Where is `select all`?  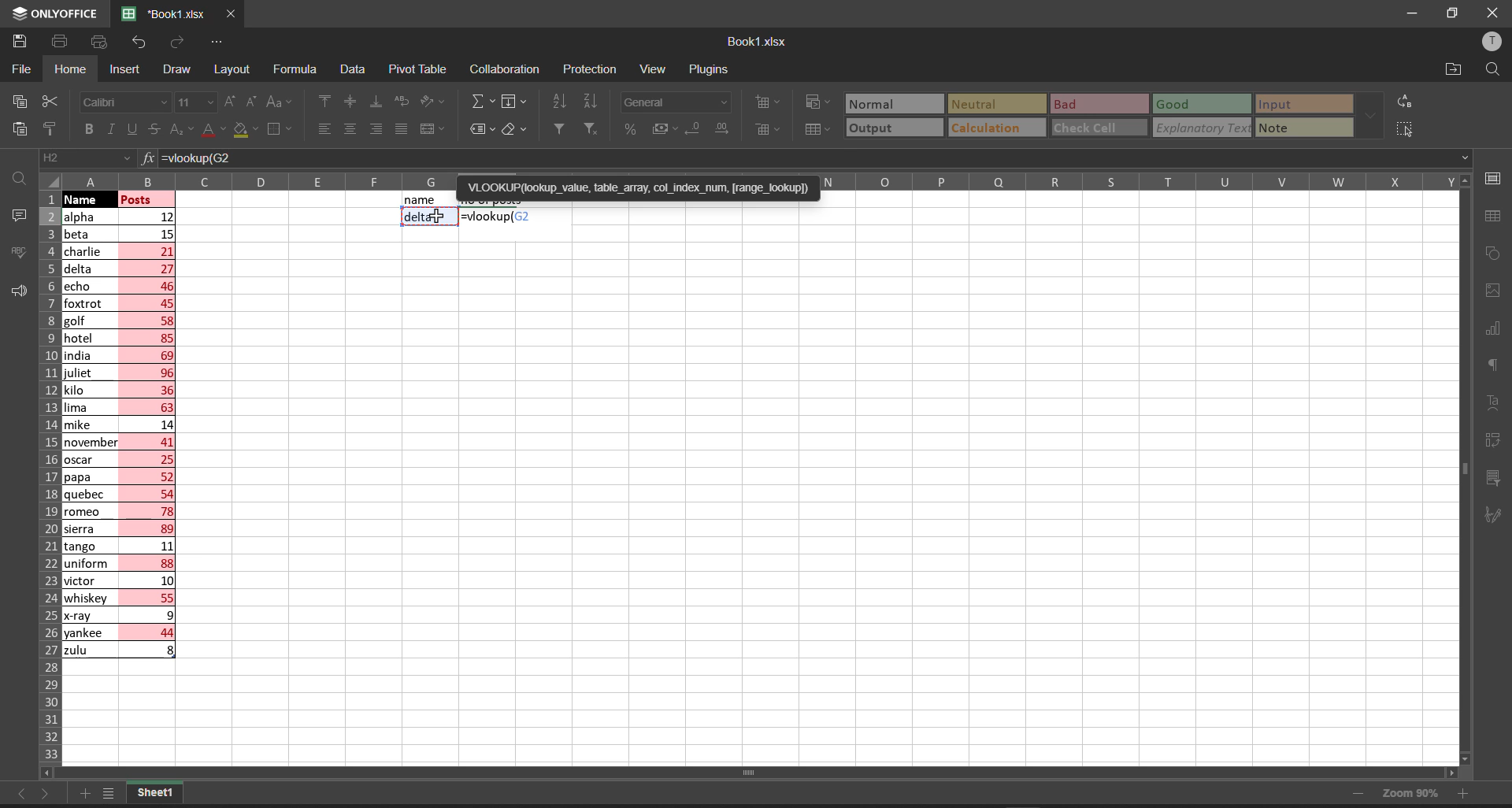 select all is located at coordinates (1403, 128).